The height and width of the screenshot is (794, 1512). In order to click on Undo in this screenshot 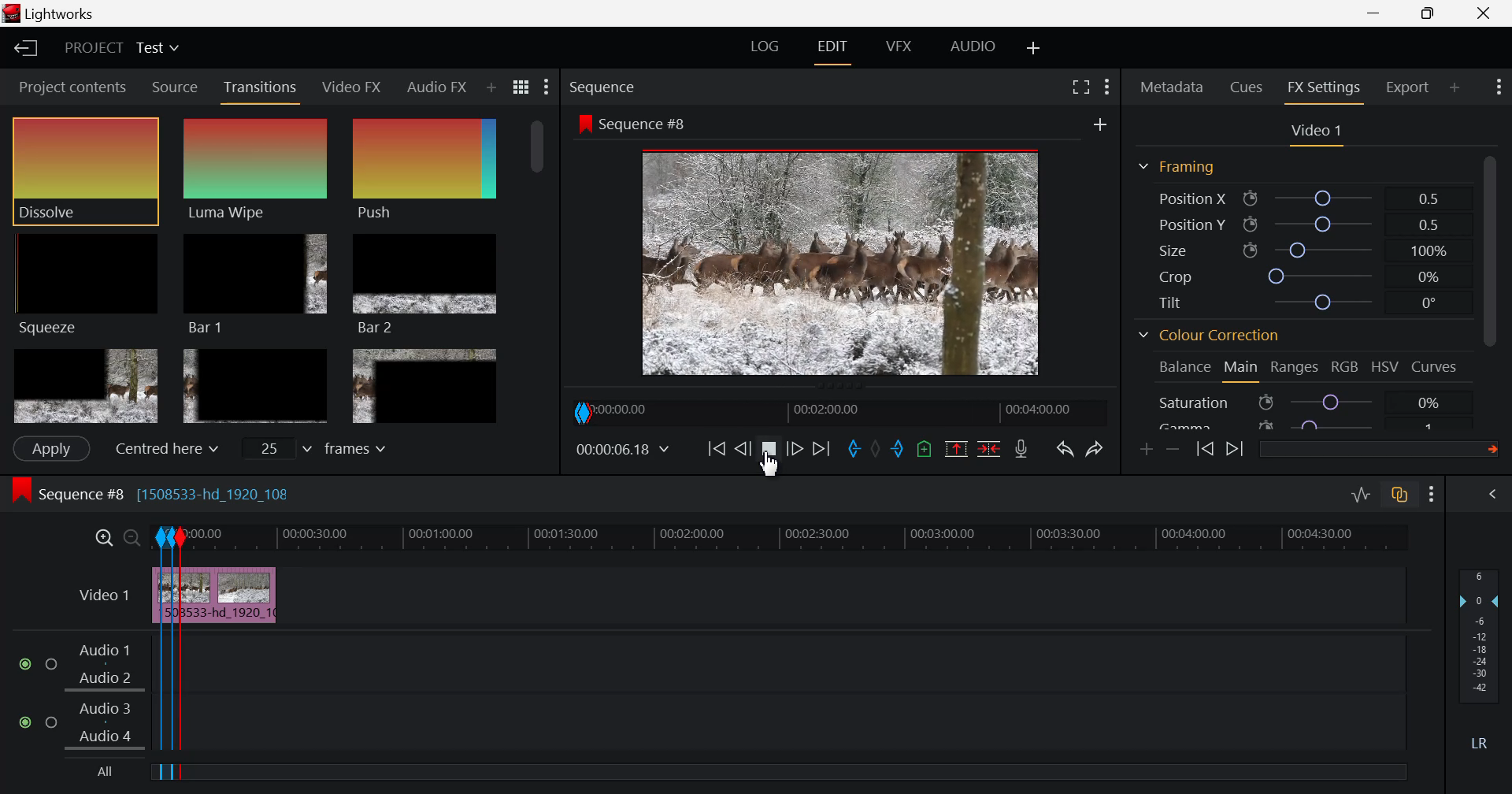, I will do `click(1063, 447)`.